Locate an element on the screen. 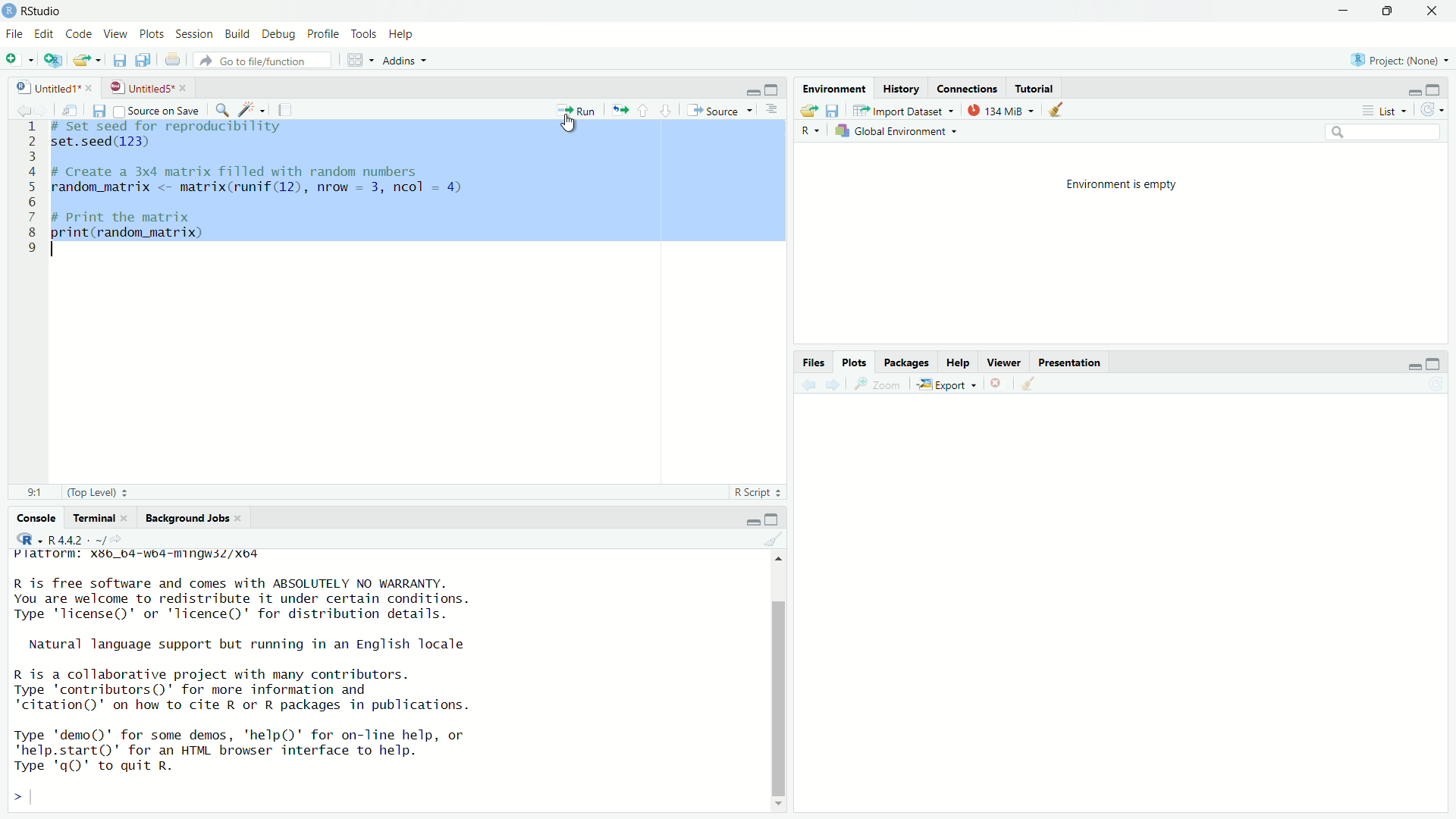 The height and width of the screenshot is (819, 1456). move is located at coordinates (71, 110).